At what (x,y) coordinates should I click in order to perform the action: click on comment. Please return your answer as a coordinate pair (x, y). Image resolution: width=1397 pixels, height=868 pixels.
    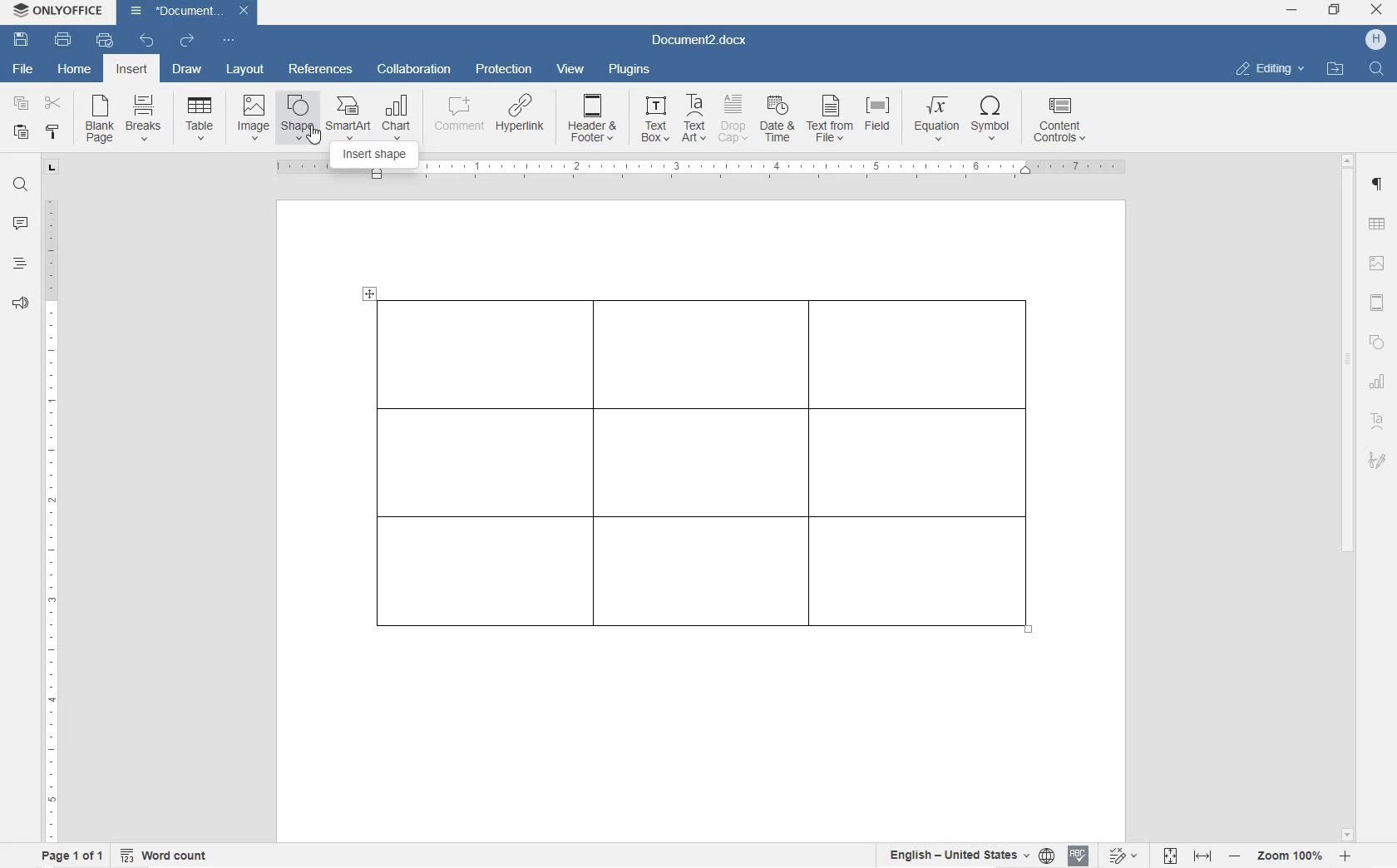
    Looking at the image, I should click on (21, 224).